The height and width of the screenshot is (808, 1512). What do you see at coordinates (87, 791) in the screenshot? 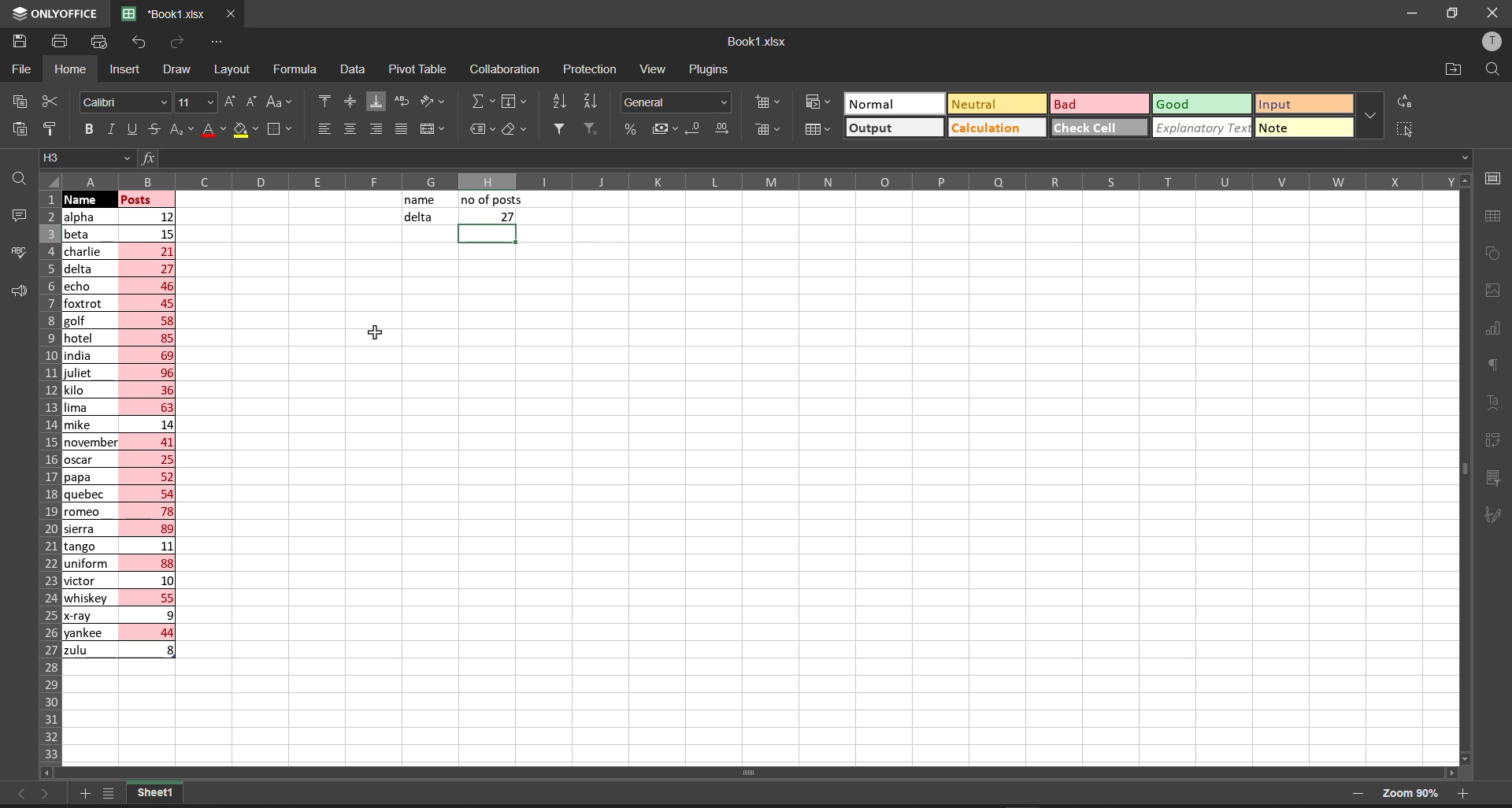
I see `add new tab` at bounding box center [87, 791].